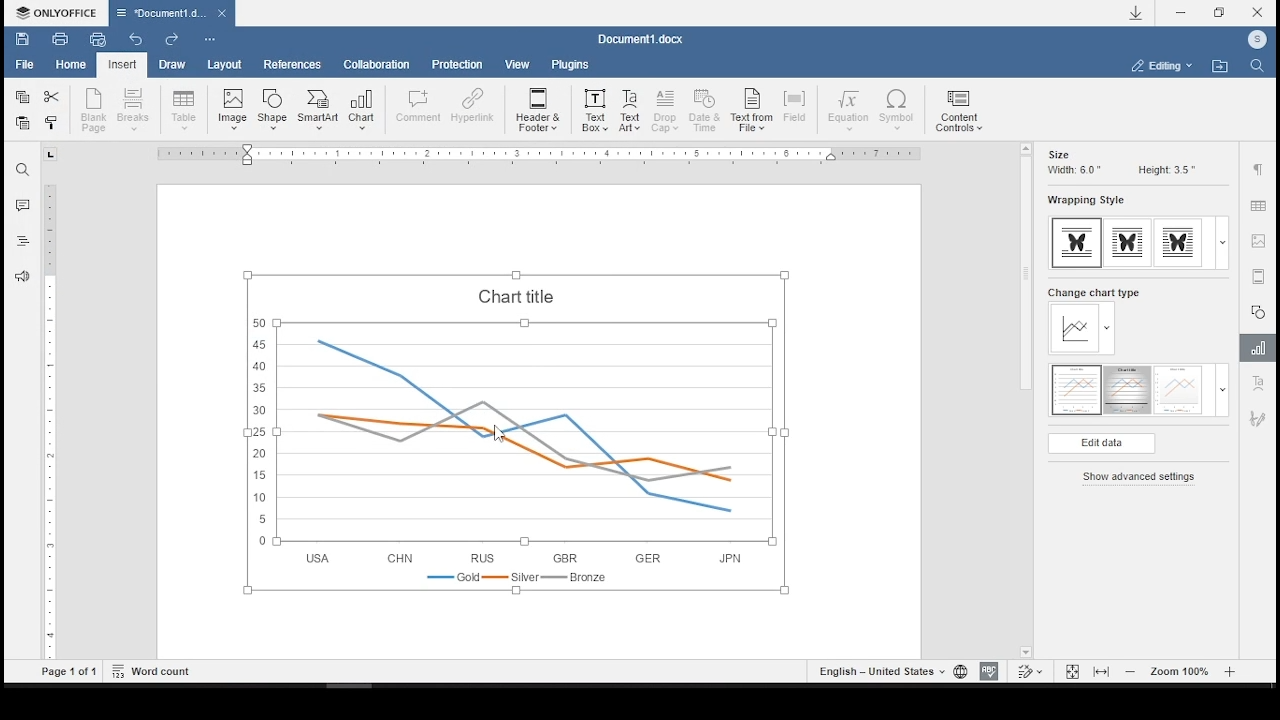 The width and height of the screenshot is (1280, 720). Describe the element at coordinates (223, 65) in the screenshot. I see `layout` at that location.